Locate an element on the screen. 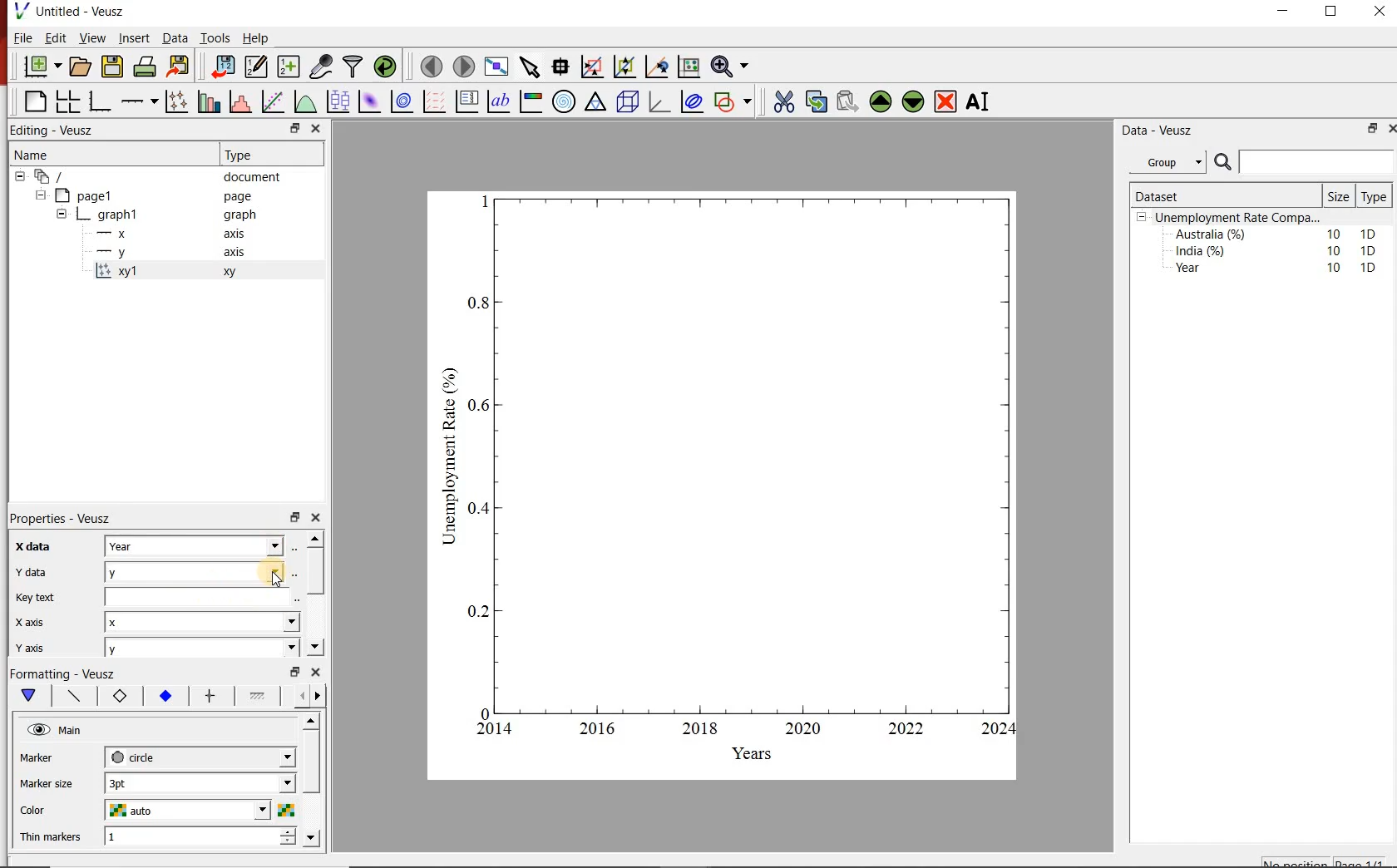 The image size is (1397, 868). Year 10 1D is located at coordinates (1281, 269).